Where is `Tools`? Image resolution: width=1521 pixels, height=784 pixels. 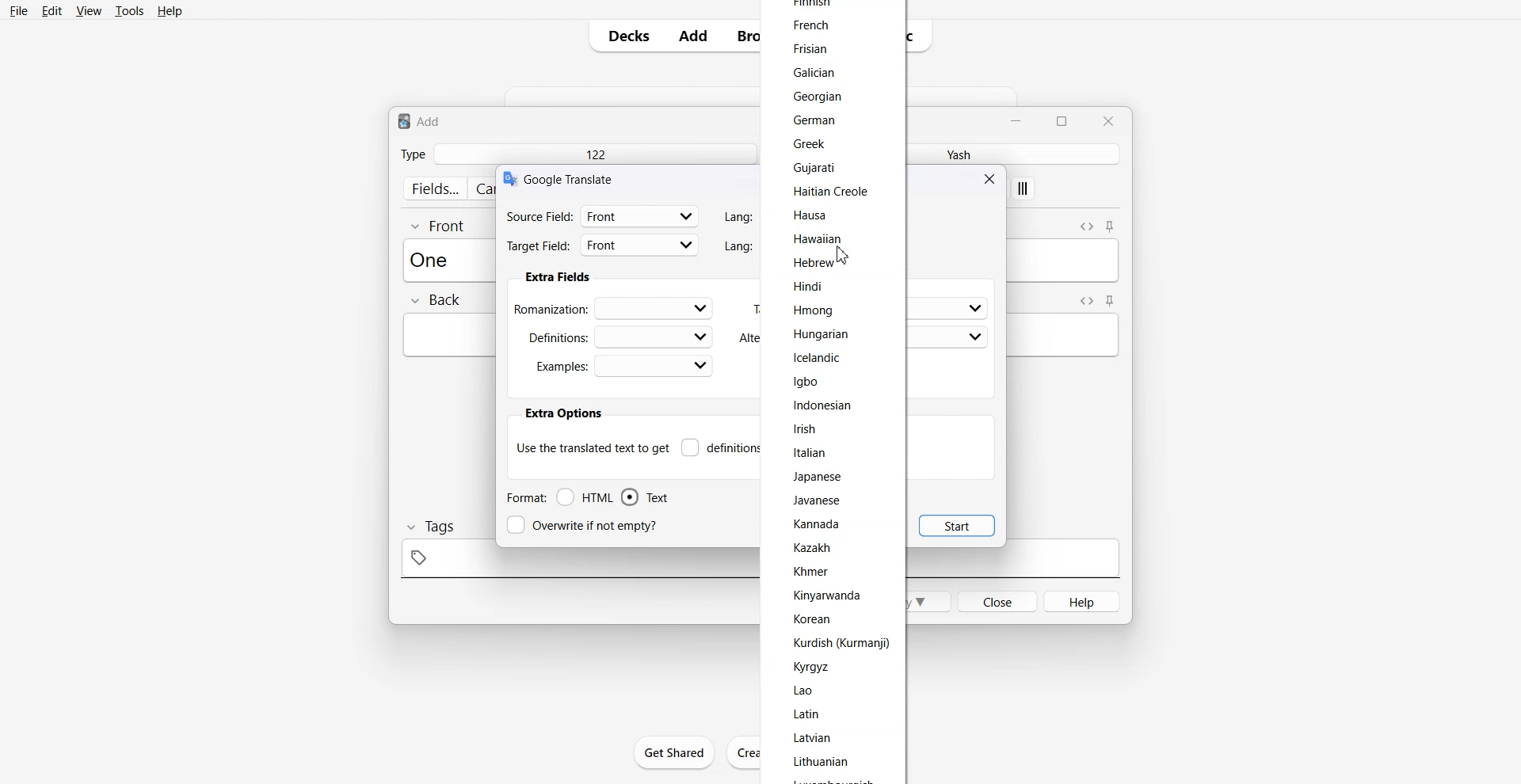 Tools is located at coordinates (129, 10).